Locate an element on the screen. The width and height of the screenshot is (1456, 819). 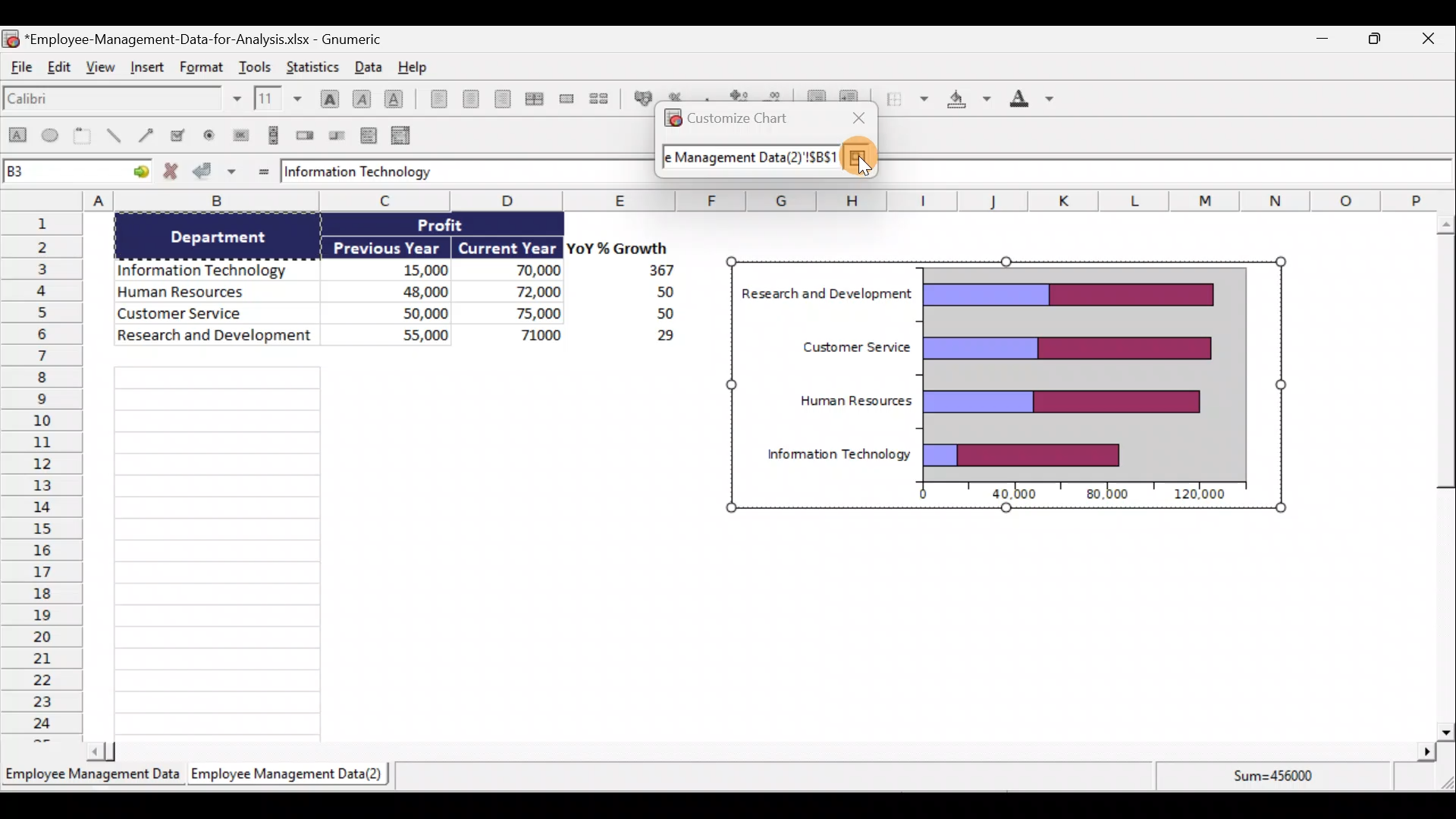
Minimize is located at coordinates (1322, 39).